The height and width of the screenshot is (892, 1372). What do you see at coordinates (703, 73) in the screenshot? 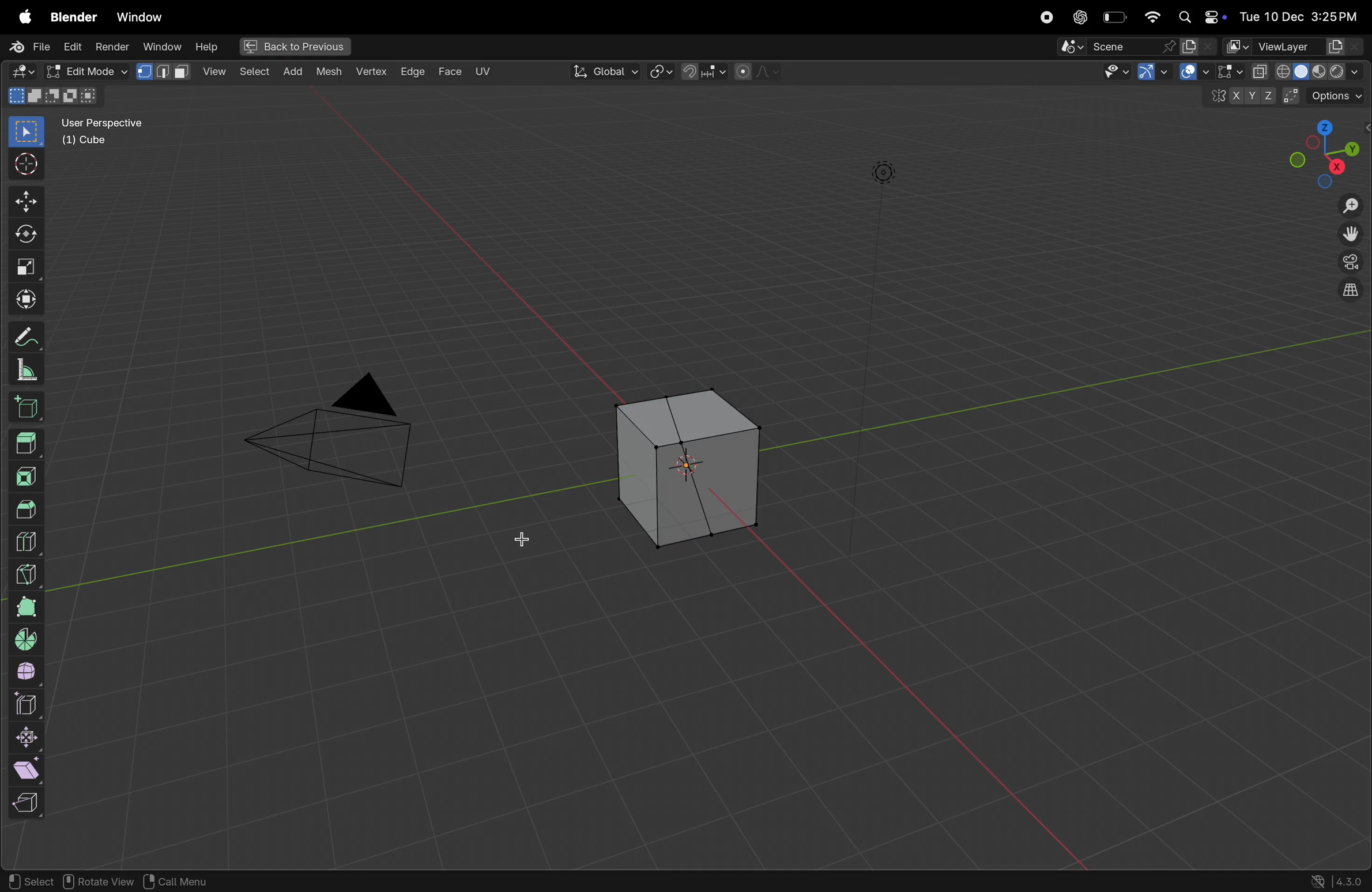
I see `snap` at bounding box center [703, 73].